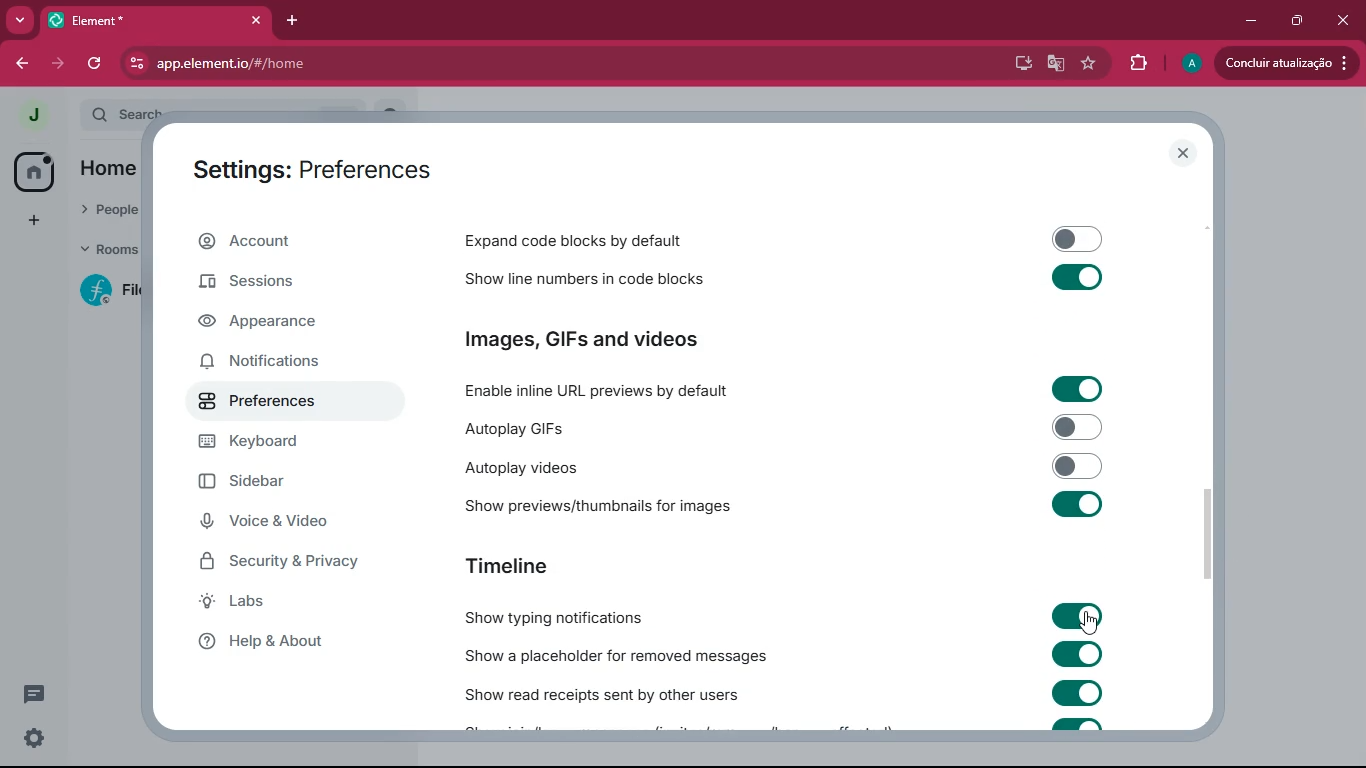  I want to click on google translate, so click(1057, 65).